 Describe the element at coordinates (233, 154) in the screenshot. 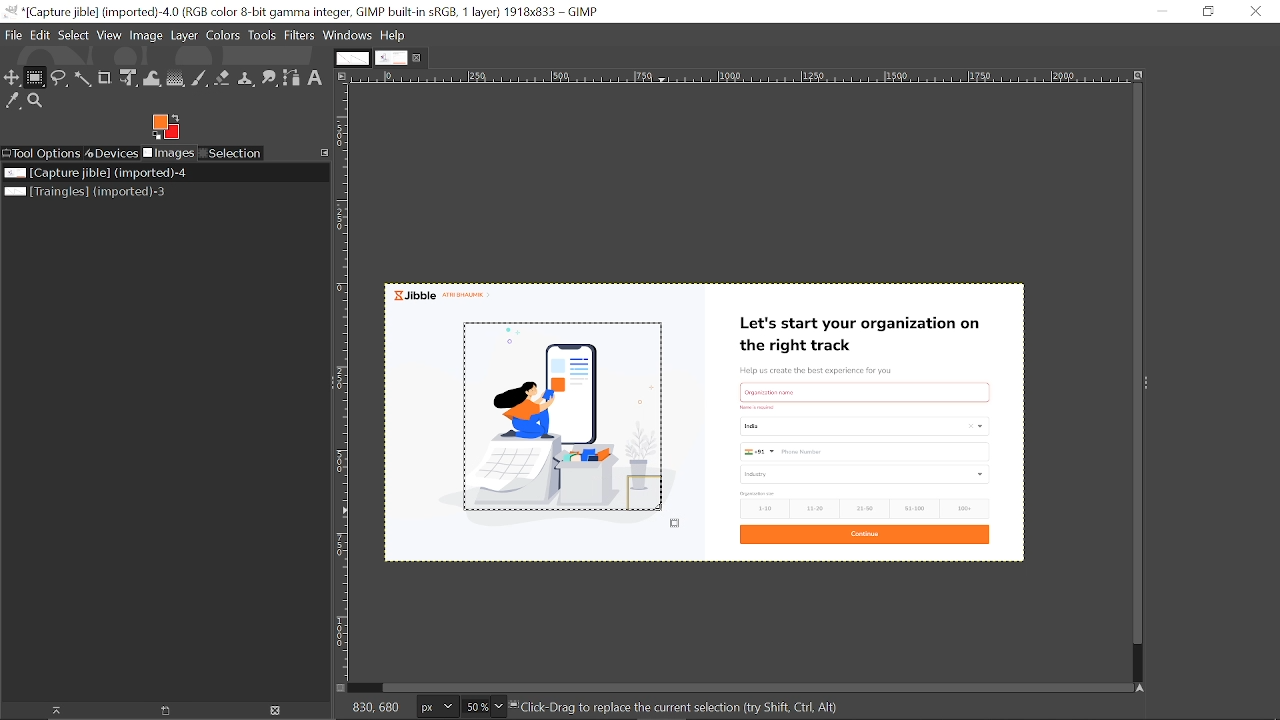

I see `Selection` at that location.